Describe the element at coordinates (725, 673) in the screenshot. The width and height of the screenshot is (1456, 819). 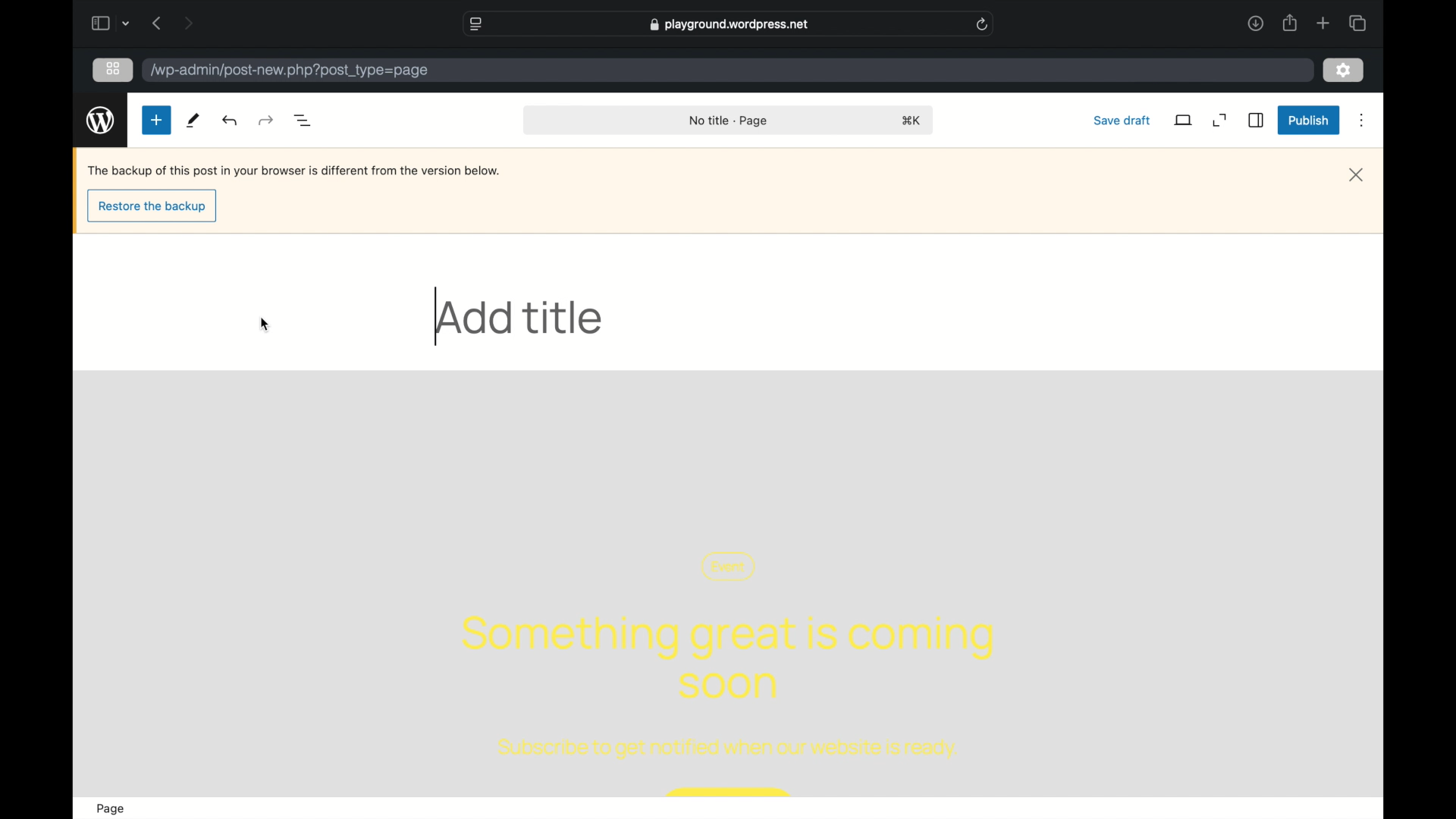
I see `template content` at that location.